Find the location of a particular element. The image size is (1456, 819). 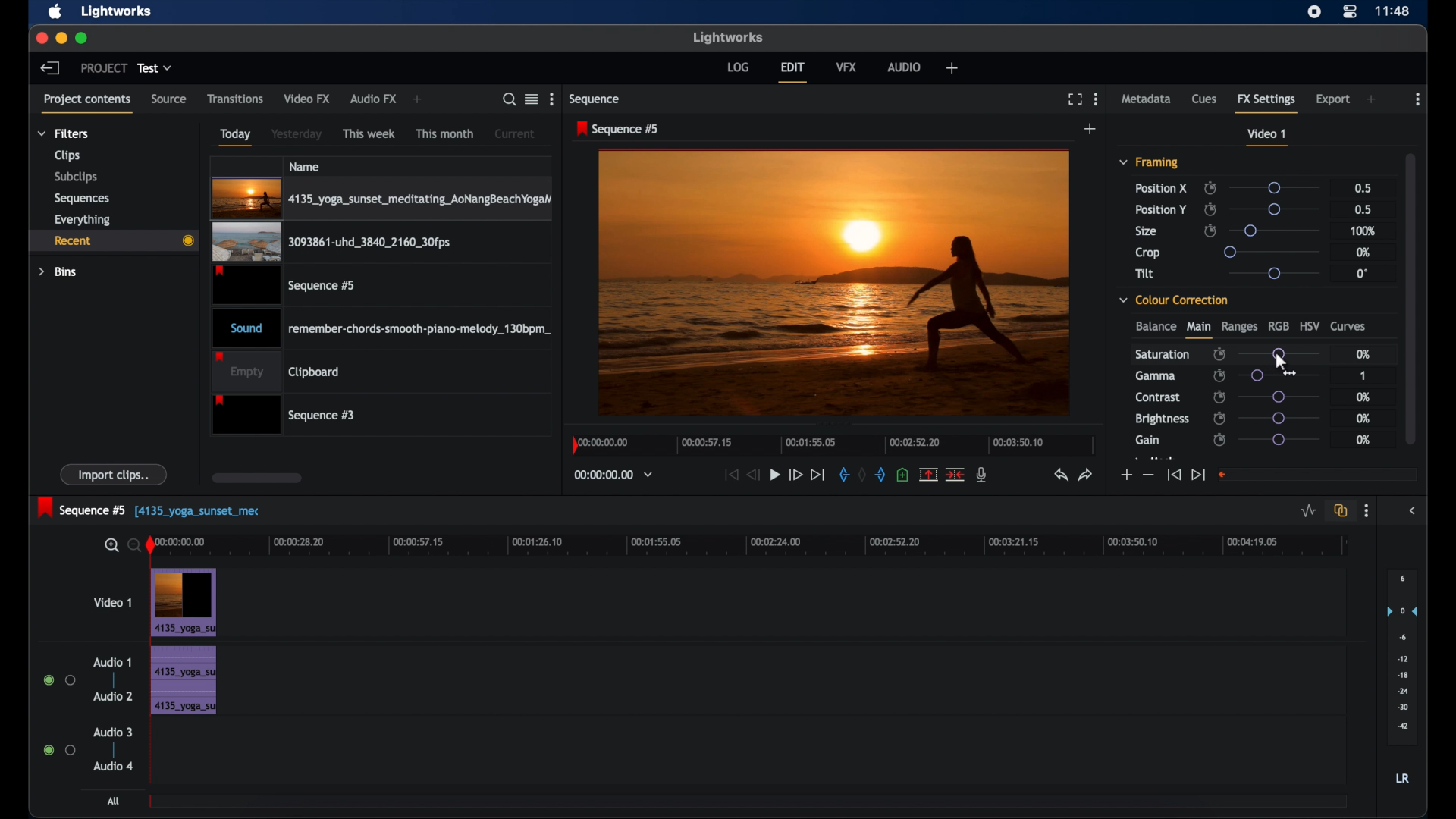

name is located at coordinates (306, 166).